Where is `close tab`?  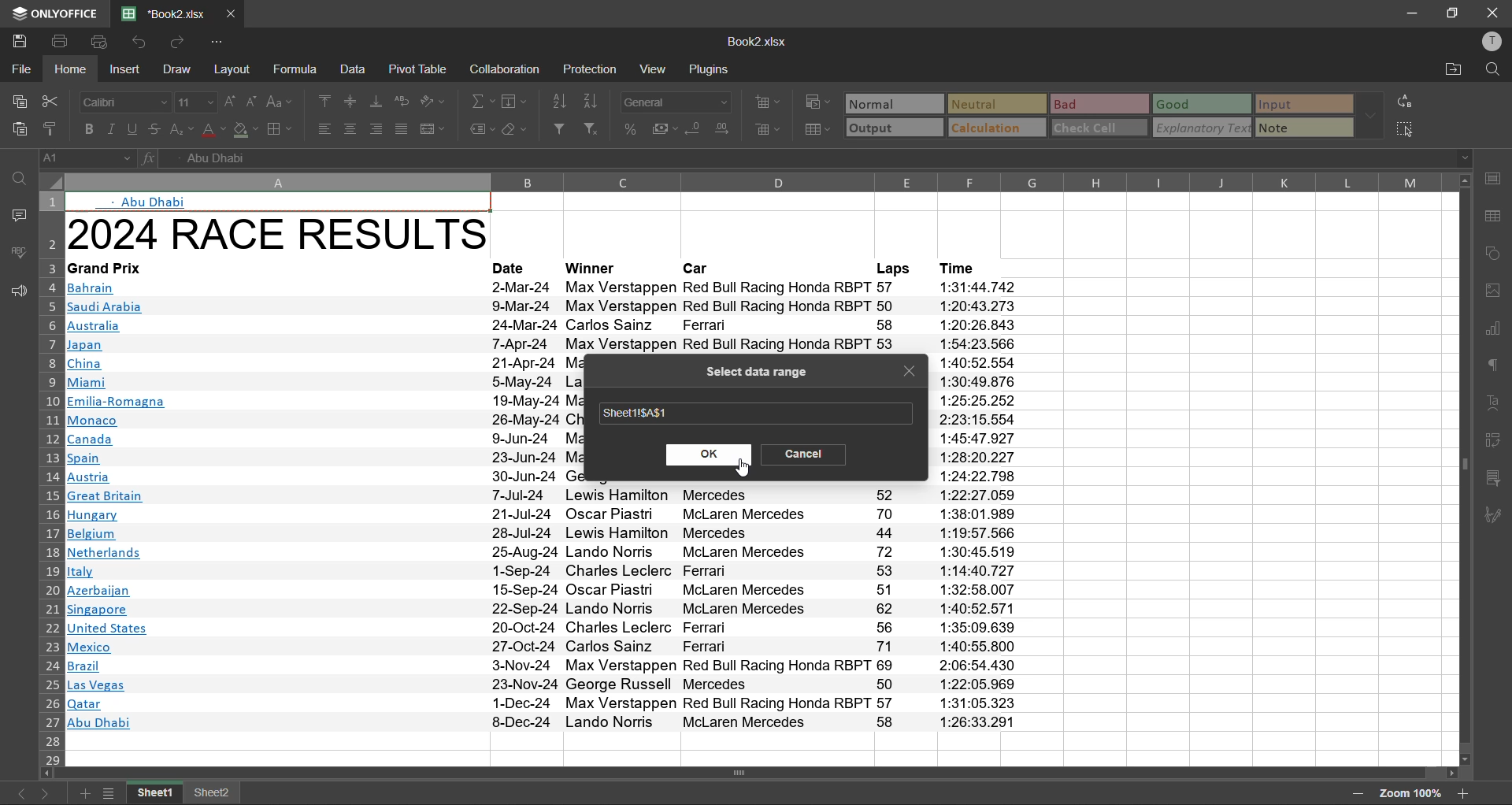 close tab is located at coordinates (233, 13).